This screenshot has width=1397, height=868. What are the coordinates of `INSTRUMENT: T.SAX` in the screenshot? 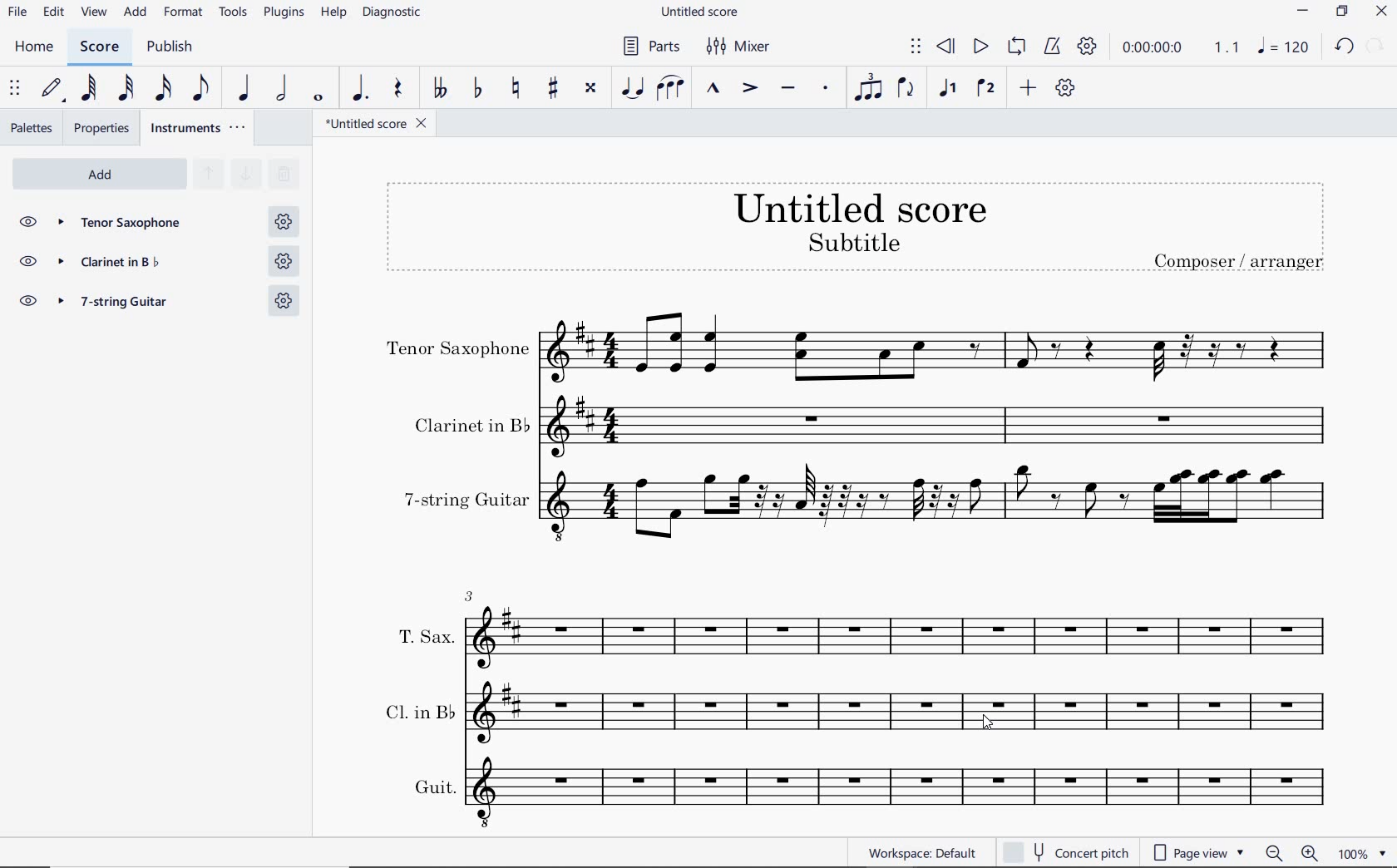 It's located at (858, 630).